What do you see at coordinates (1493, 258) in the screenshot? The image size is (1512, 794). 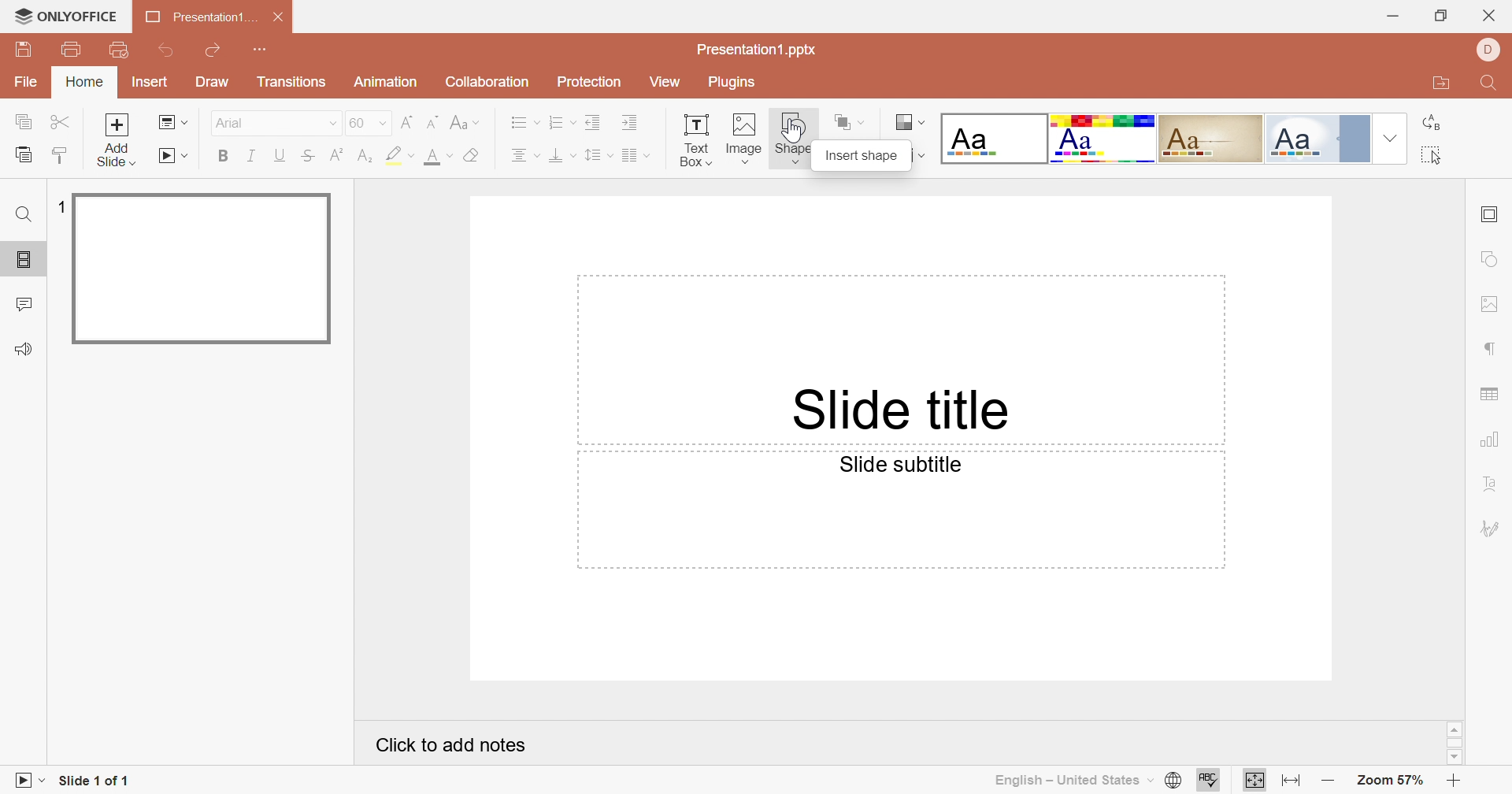 I see `Shape settings` at bounding box center [1493, 258].